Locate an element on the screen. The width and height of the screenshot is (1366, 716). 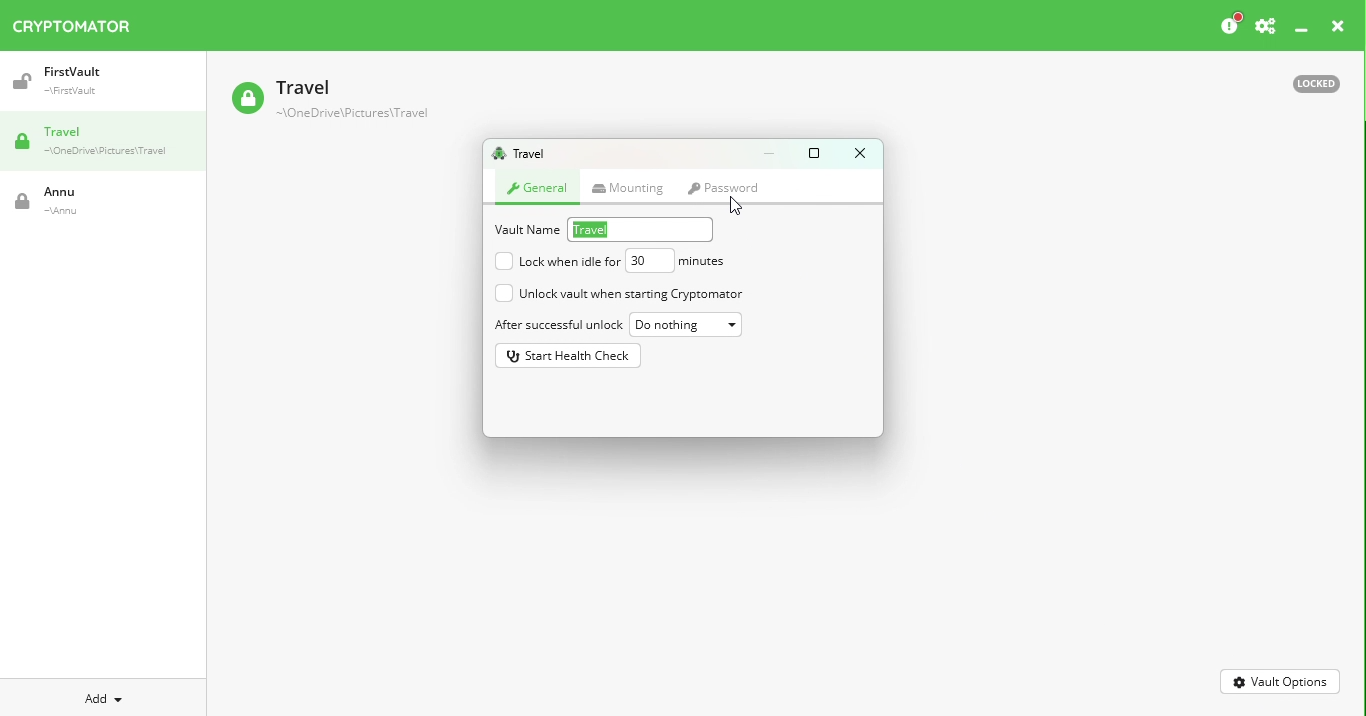
Minimize is located at coordinates (774, 153).